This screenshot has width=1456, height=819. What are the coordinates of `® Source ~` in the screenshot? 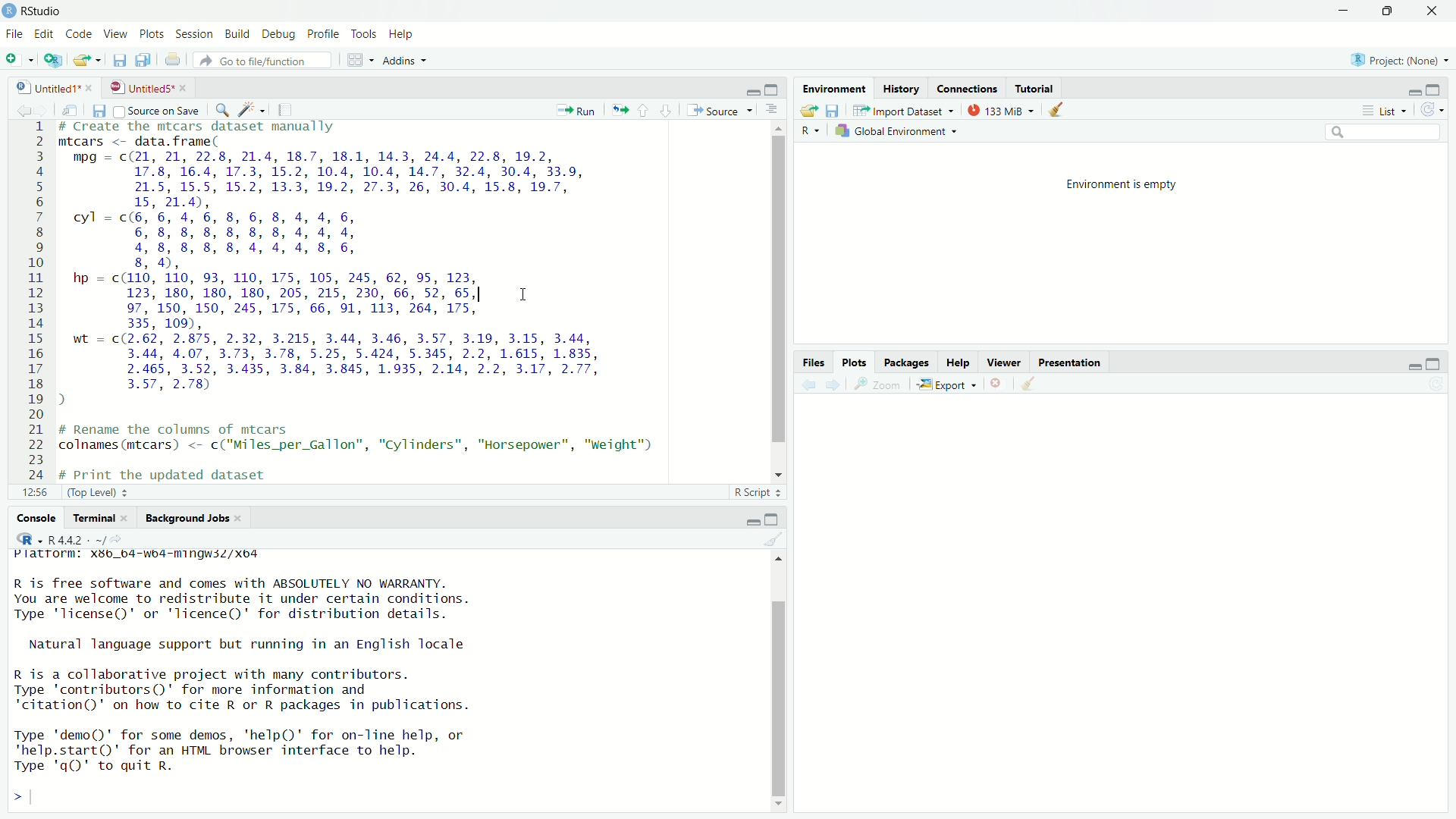 It's located at (723, 109).